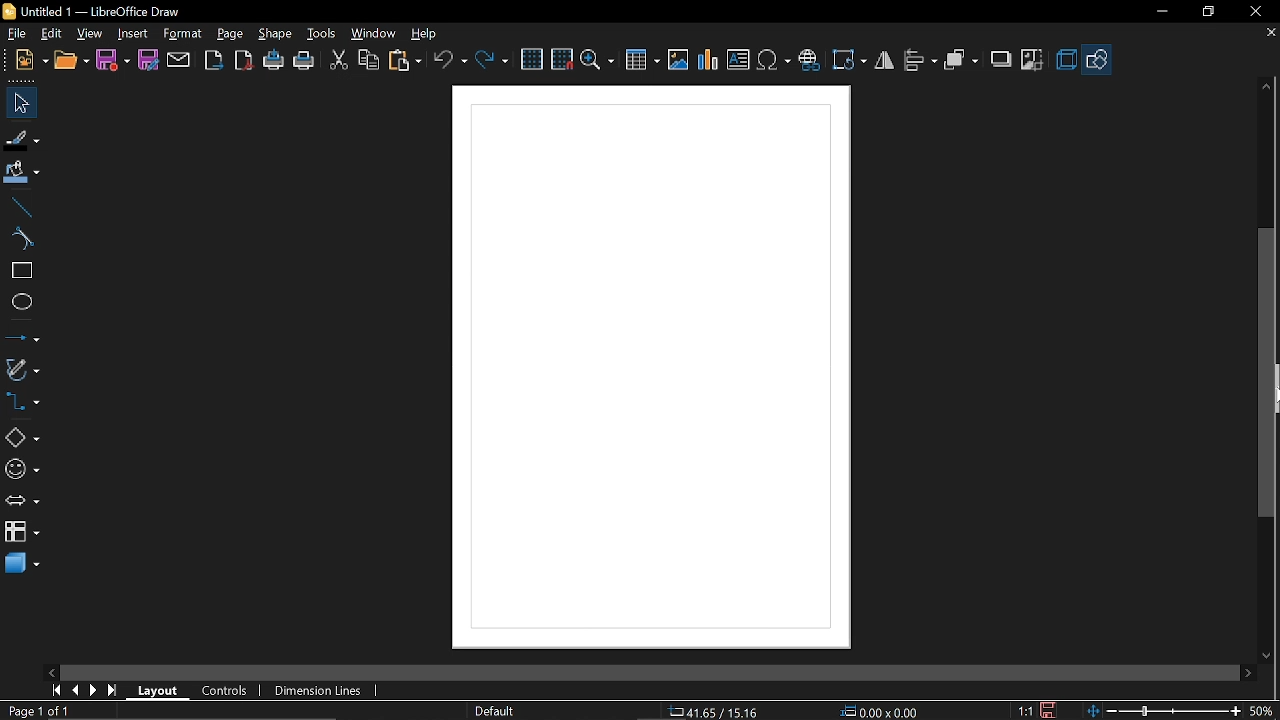 This screenshot has width=1280, height=720. What do you see at coordinates (715, 712) in the screenshot?
I see `co-ordinate` at bounding box center [715, 712].